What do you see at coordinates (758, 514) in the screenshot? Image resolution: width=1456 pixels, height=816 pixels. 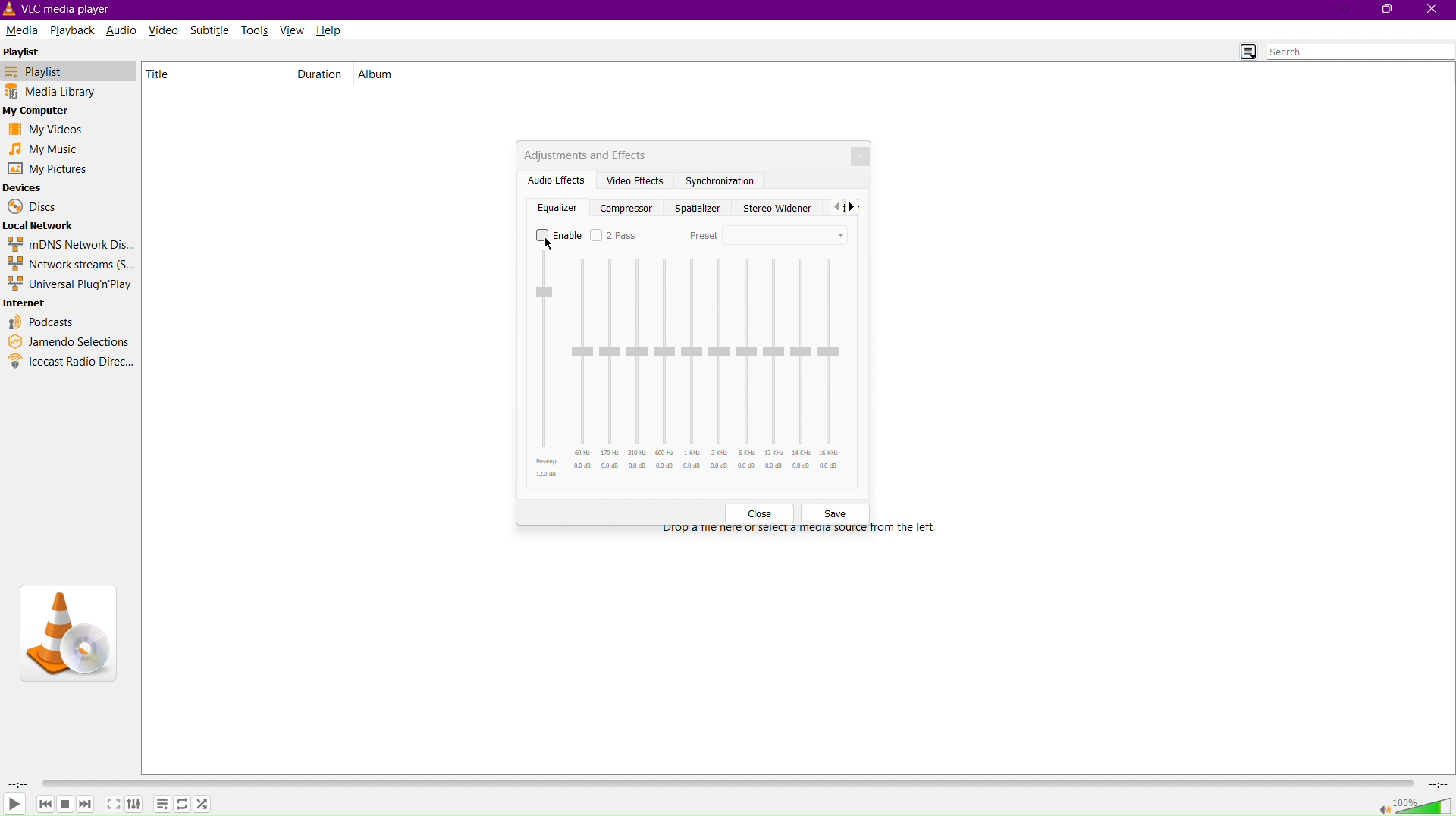 I see `Close` at bounding box center [758, 514].